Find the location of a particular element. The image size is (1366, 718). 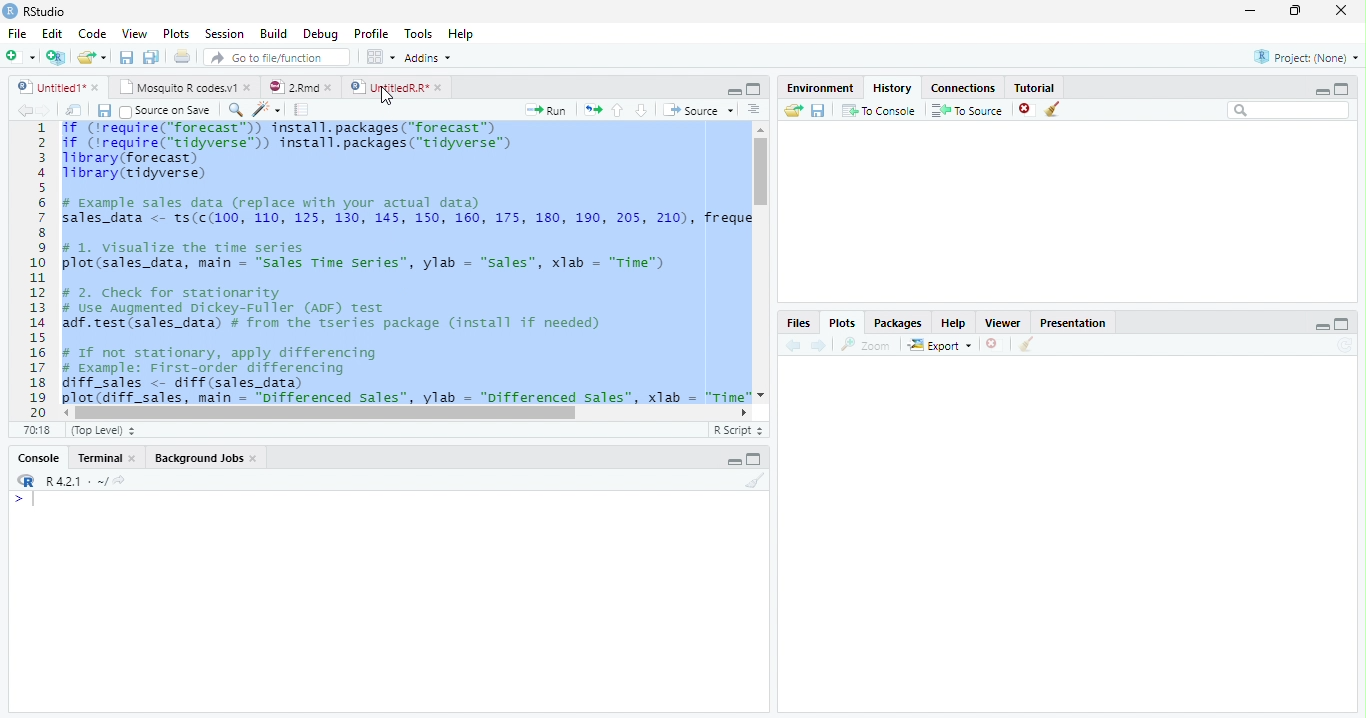

Terminal is located at coordinates (106, 457).